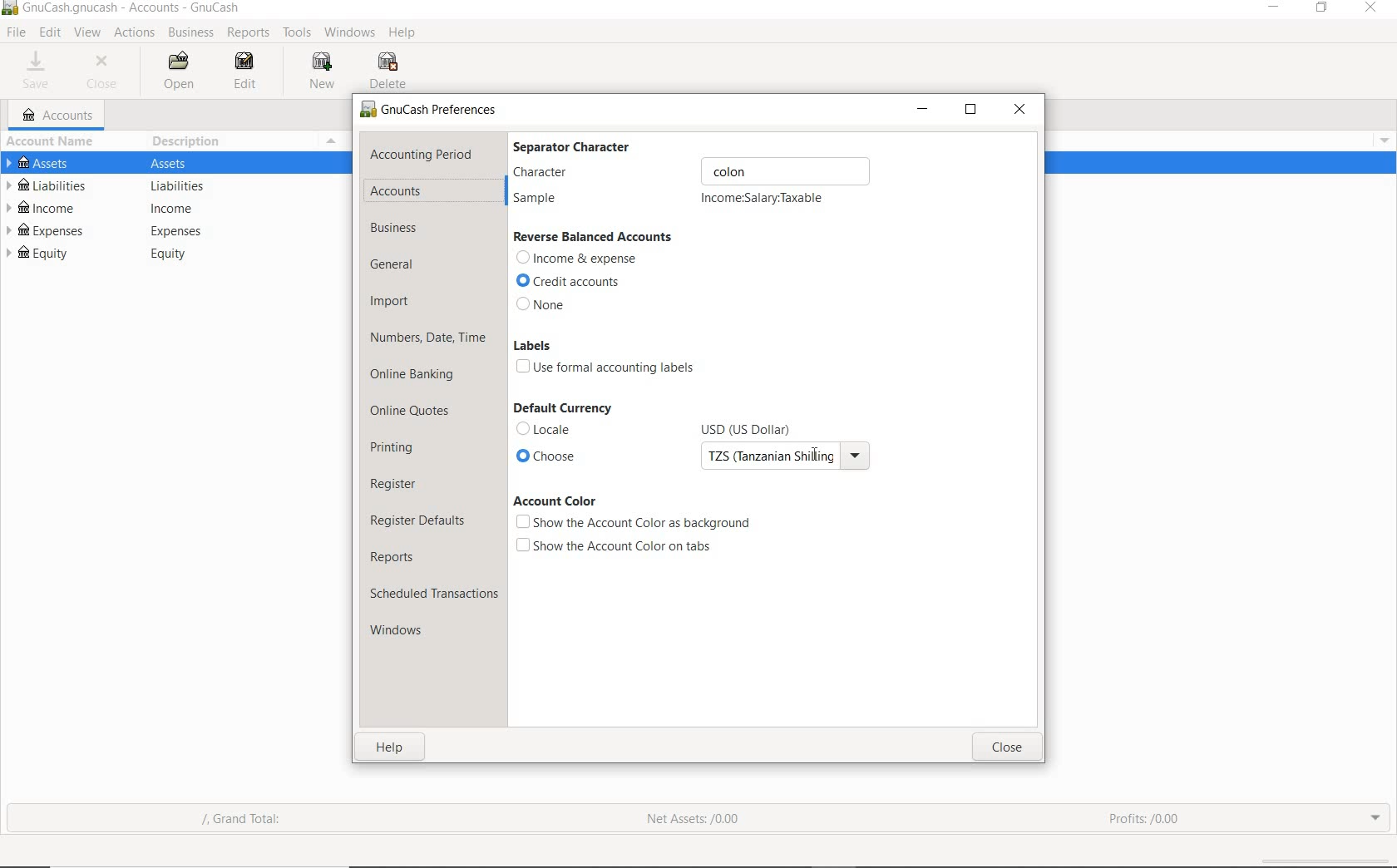 This screenshot has width=1397, height=868. I want to click on , so click(178, 231).